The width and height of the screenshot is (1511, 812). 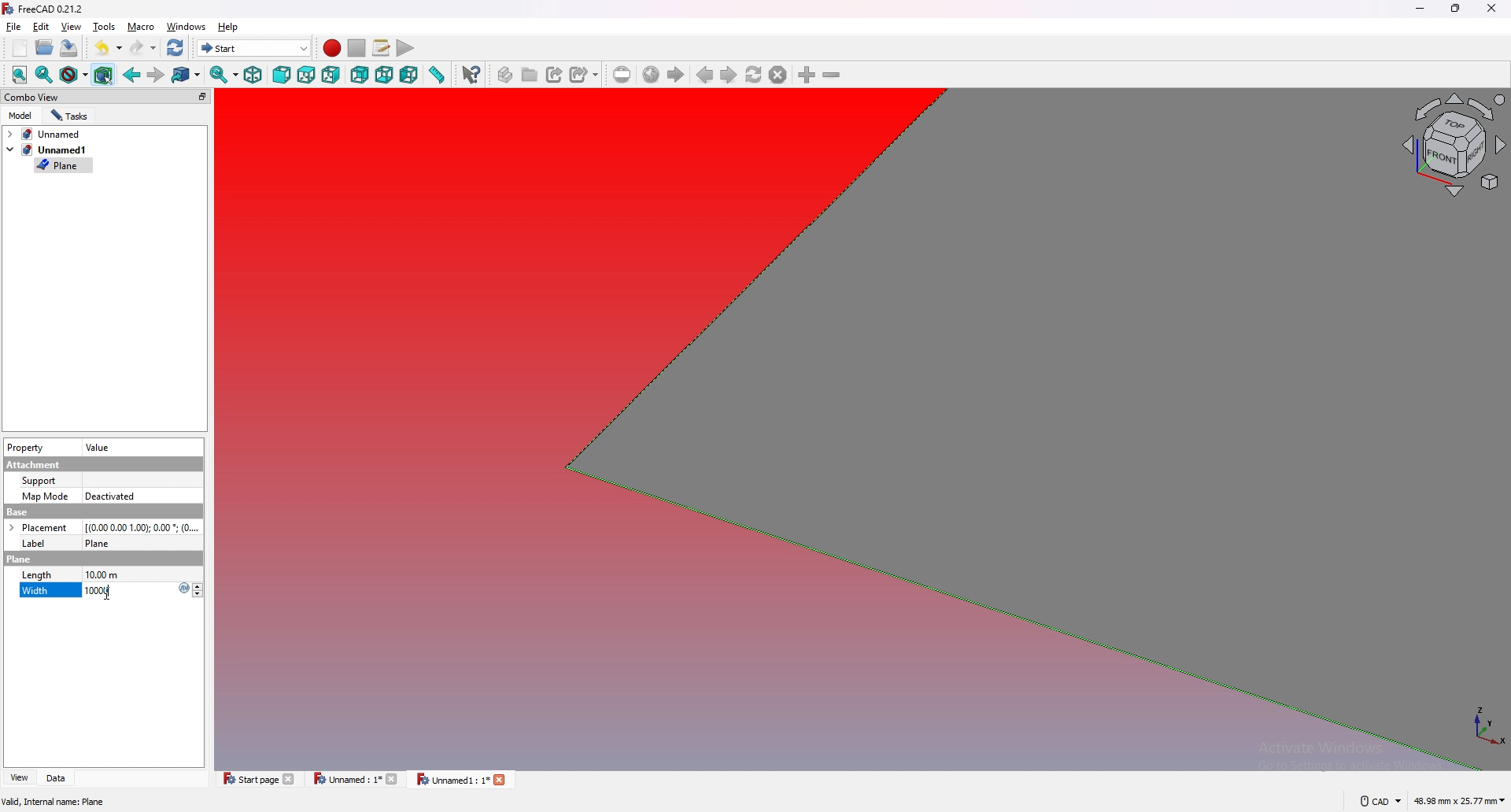 I want to click on model, so click(x=21, y=116).